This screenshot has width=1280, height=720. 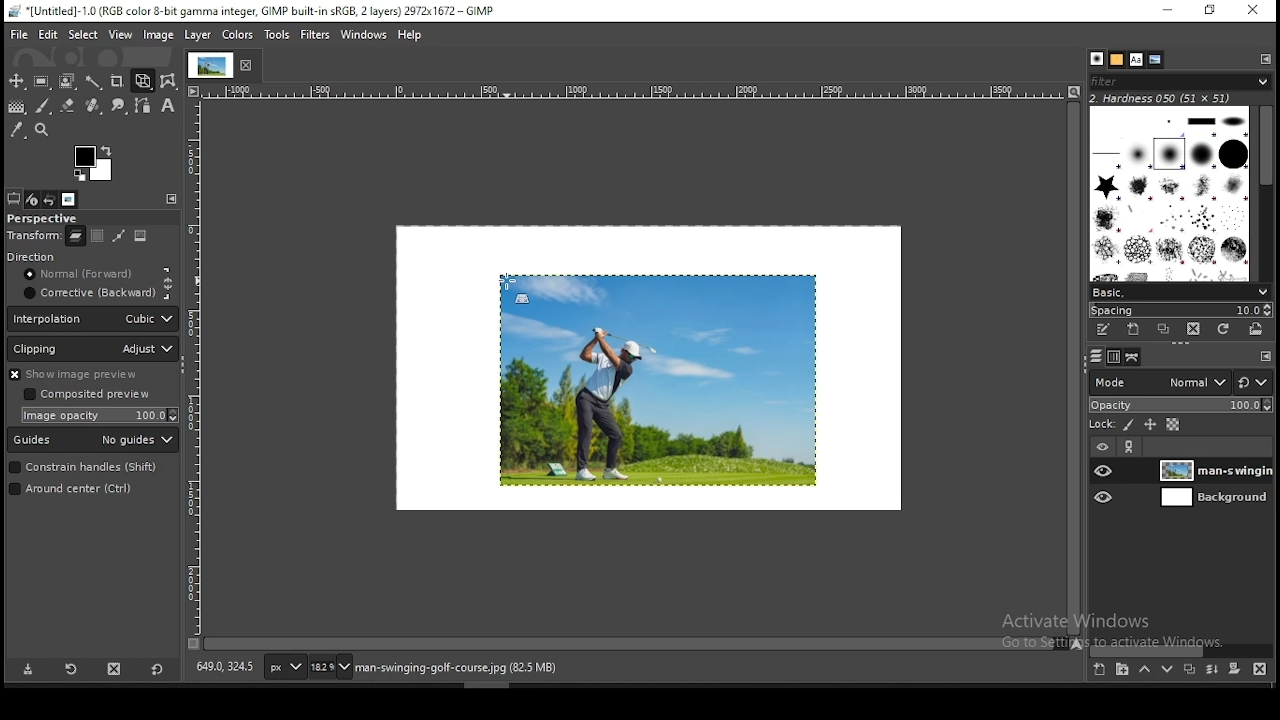 I want to click on create a new brush, so click(x=1132, y=330).